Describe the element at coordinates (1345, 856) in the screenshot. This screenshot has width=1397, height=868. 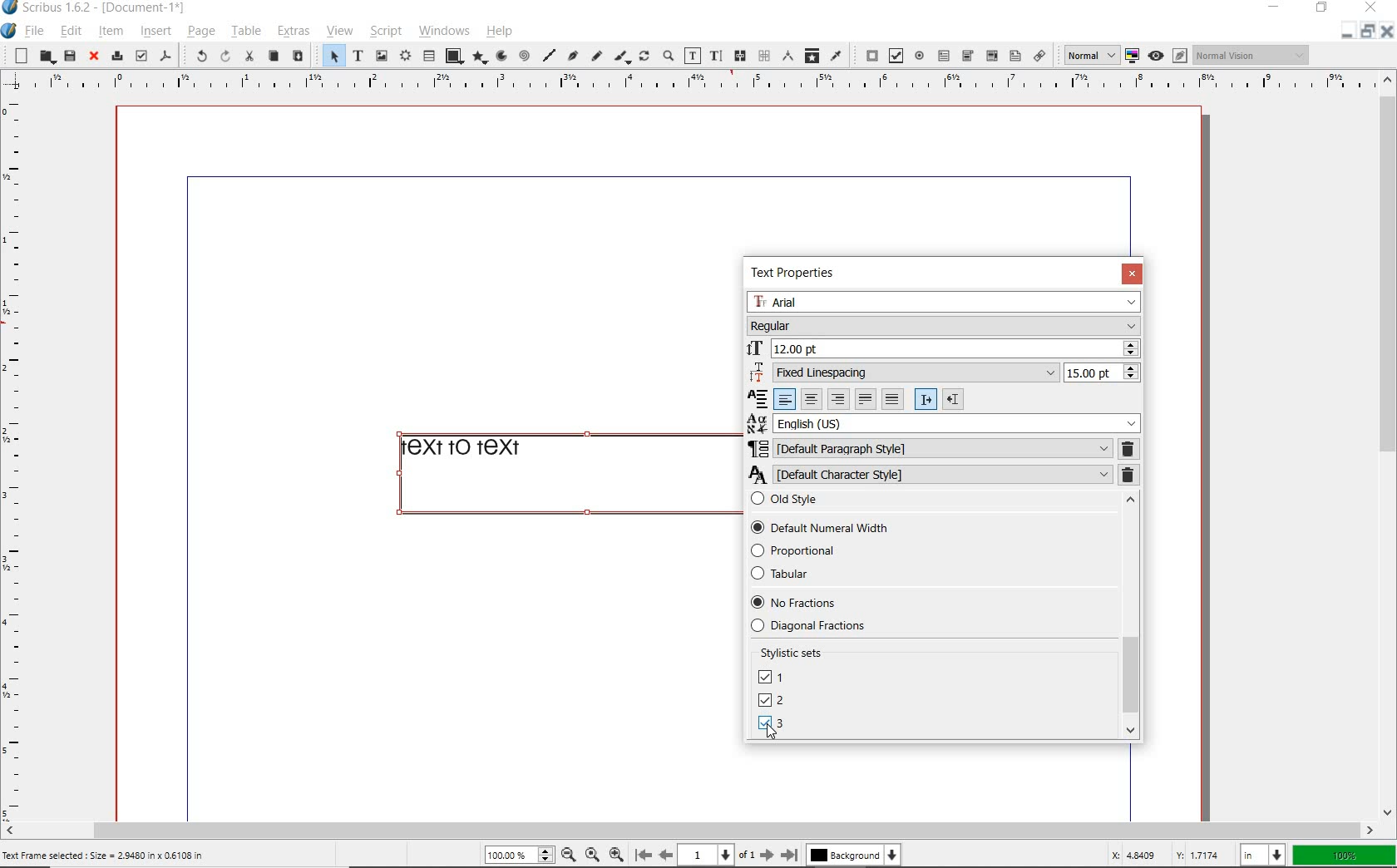
I see `100%` at that location.